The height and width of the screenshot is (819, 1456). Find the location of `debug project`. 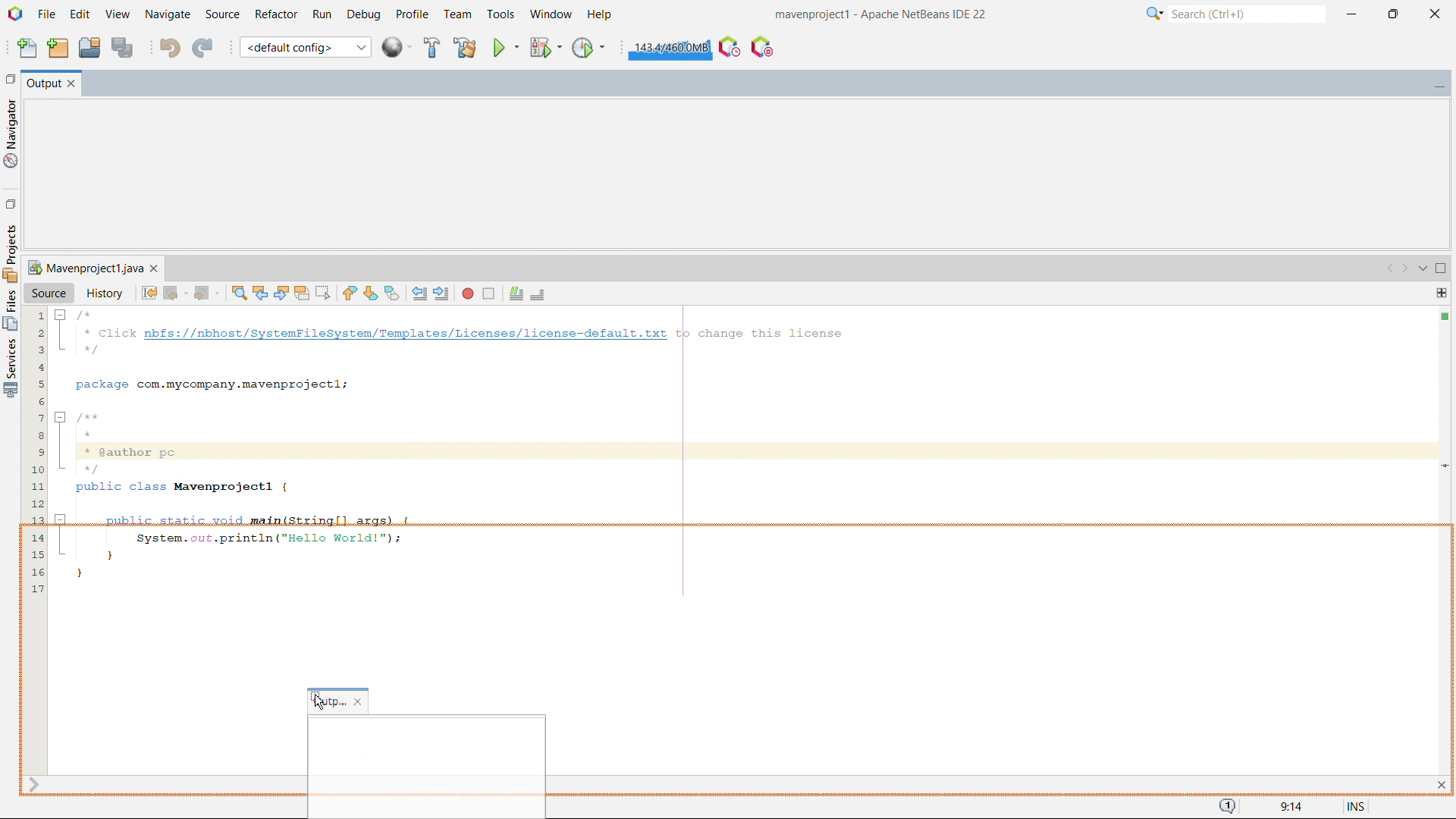

debug project is located at coordinates (544, 47).